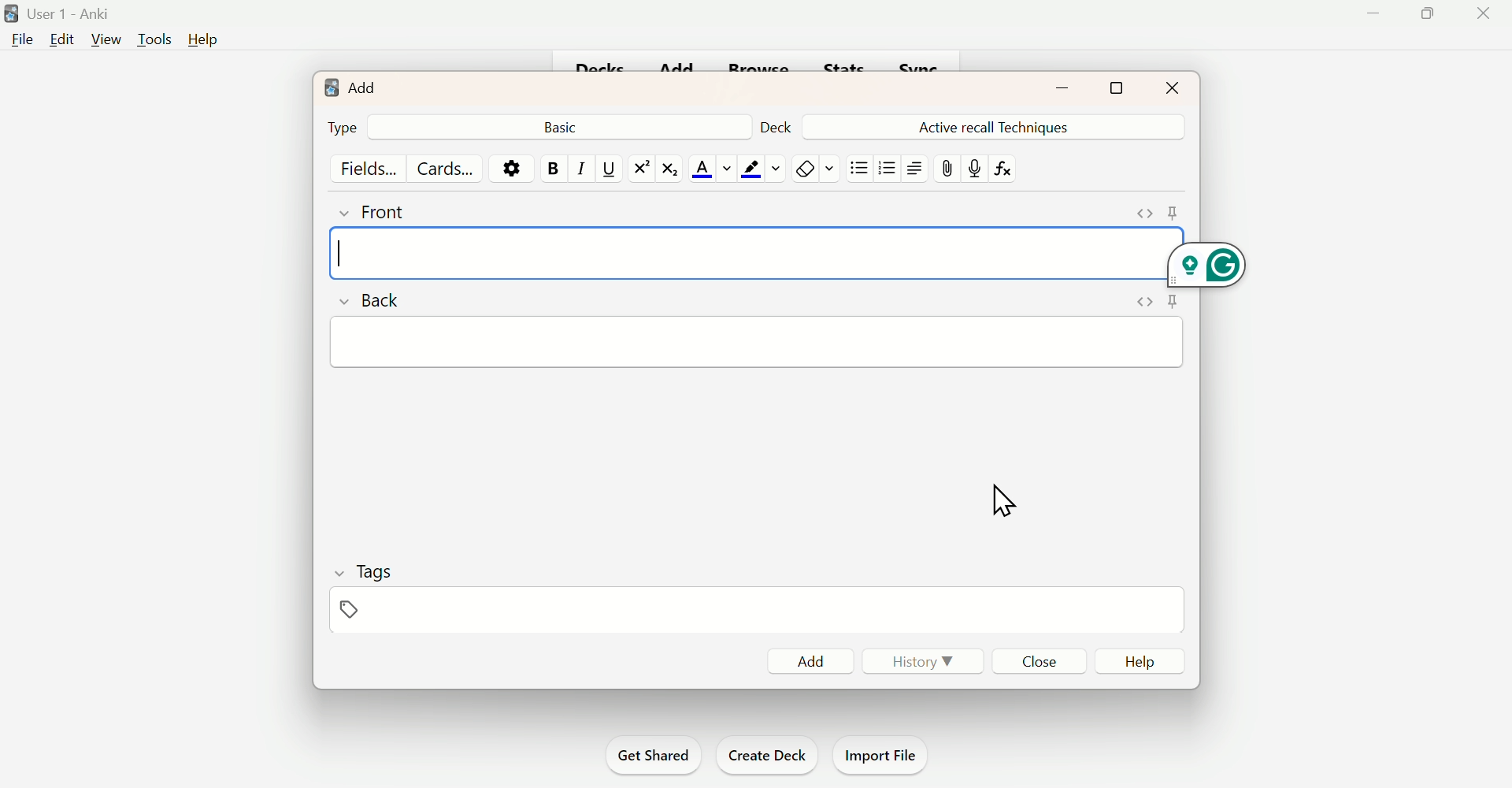 Image resolution: width=1512 pixels, height=788 pixels. Describe the element at coordinates (1144, 663) in the screenshot. I see `Help` at that location.